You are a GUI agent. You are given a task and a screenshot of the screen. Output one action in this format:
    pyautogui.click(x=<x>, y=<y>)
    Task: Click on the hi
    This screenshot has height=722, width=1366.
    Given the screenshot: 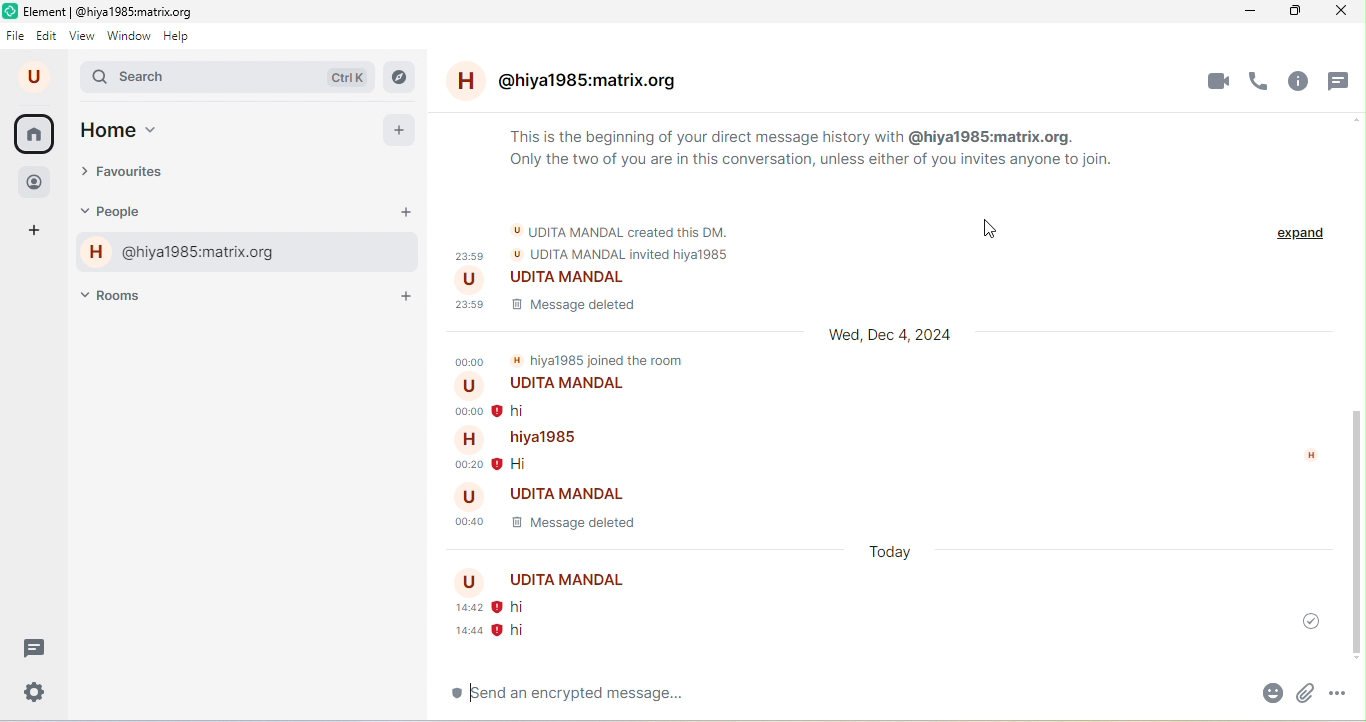 What is the action you would take?
    pyautogui.click(x=532, y=411)
    